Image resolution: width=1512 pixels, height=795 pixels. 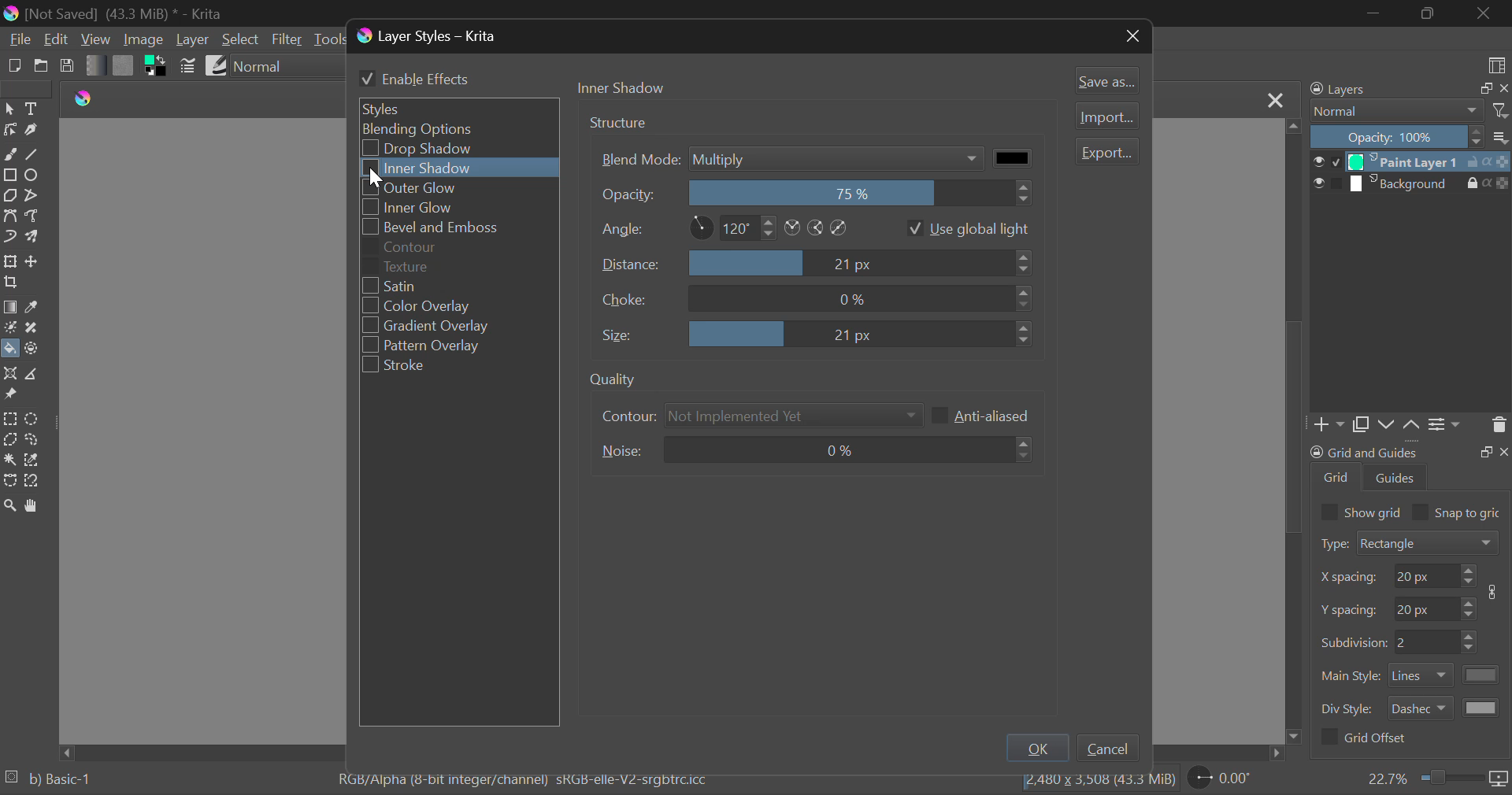 I want to click on View, so click(x=96, y=41).